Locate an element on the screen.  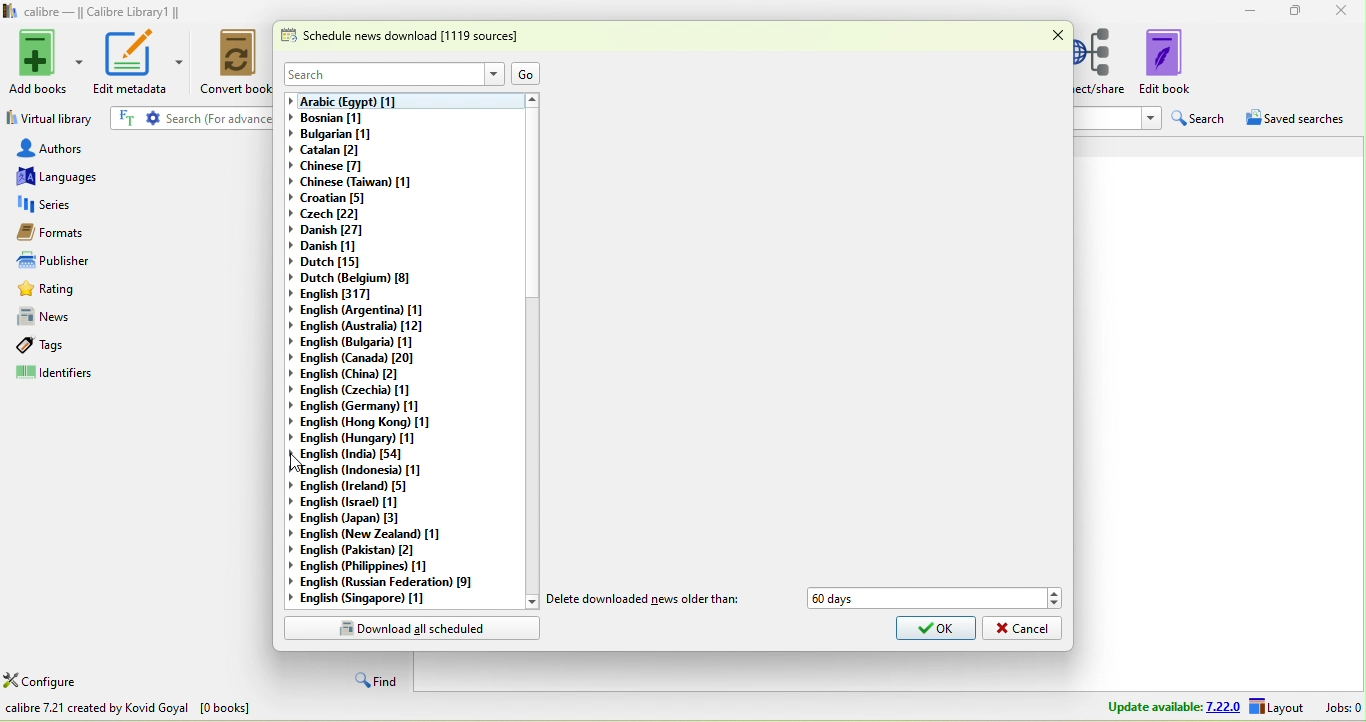
search is located at coordinates (1203, 117).